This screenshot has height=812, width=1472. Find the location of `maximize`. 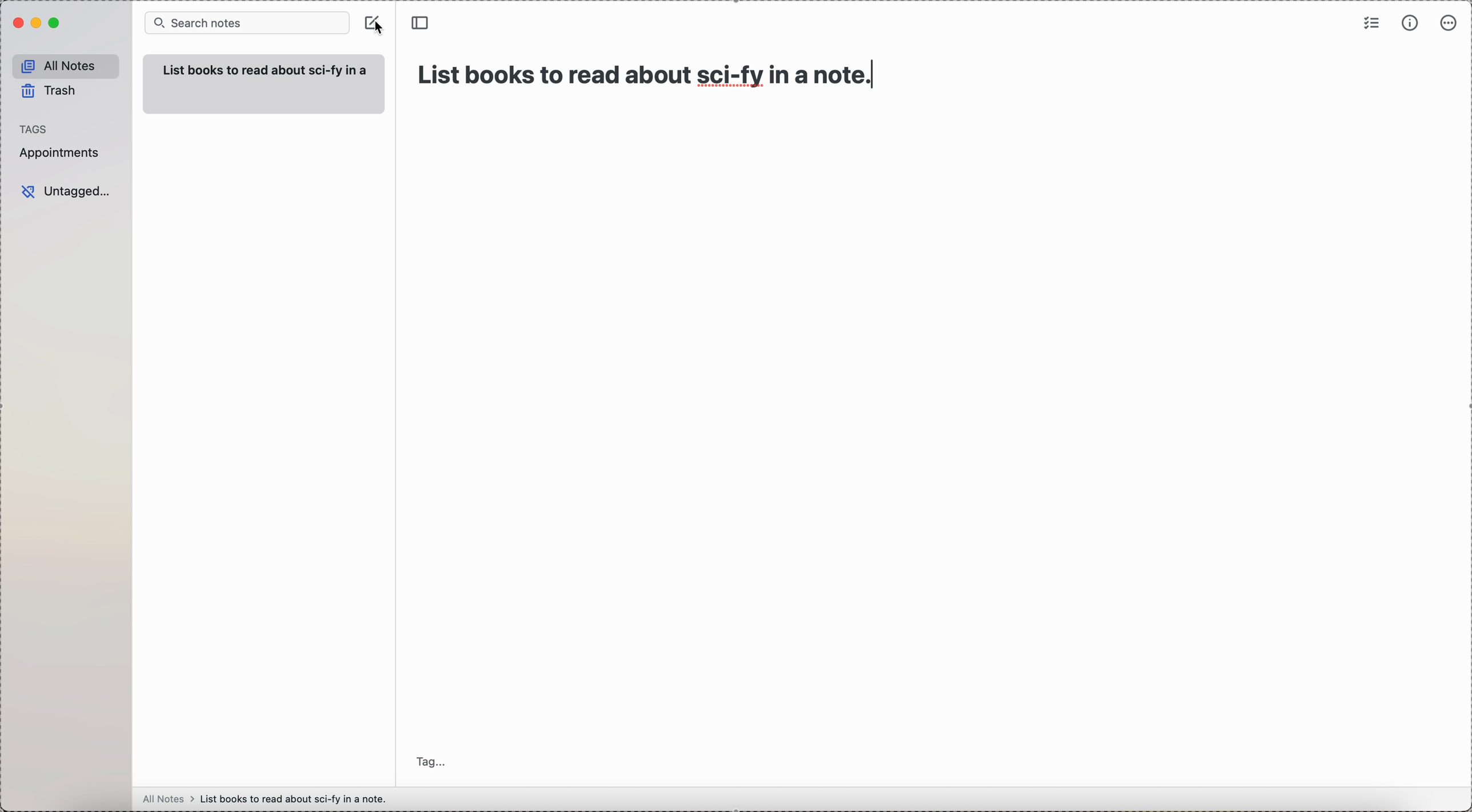

maximize is located at coordinates (54, 25).